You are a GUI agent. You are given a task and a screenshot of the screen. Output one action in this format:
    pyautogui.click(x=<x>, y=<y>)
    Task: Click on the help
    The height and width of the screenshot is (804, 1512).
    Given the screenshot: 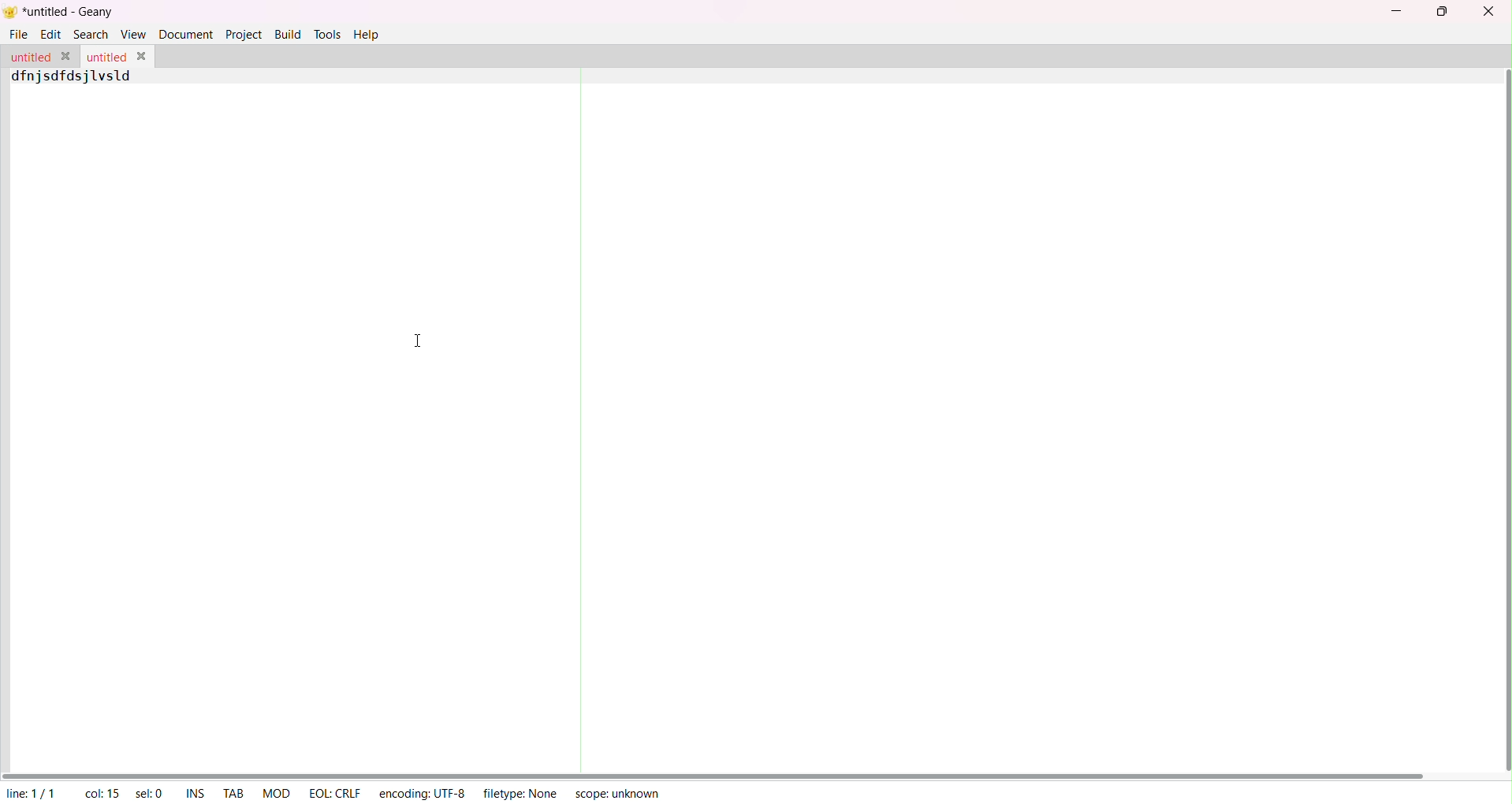 What is the action you would take?
    pyautogui.click(x=369, y=37)
    